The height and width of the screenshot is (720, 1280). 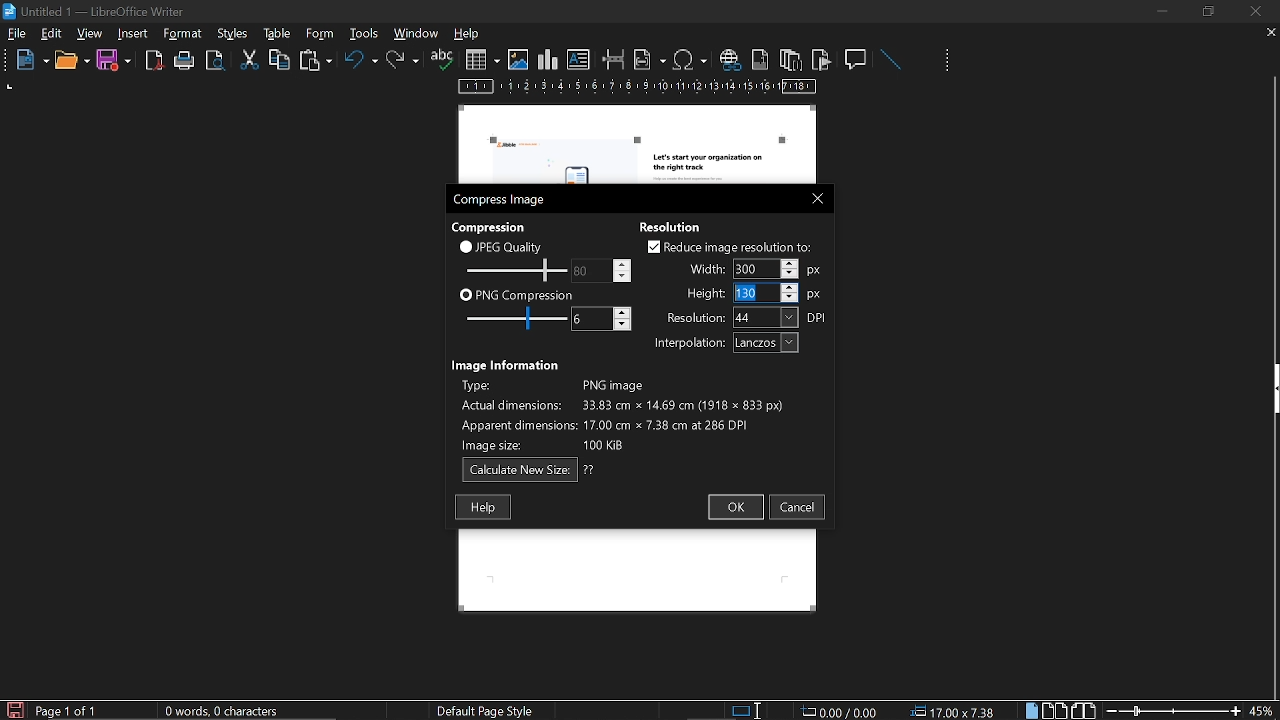 I want to click on multiple page view, so click(x=1055, y=711).